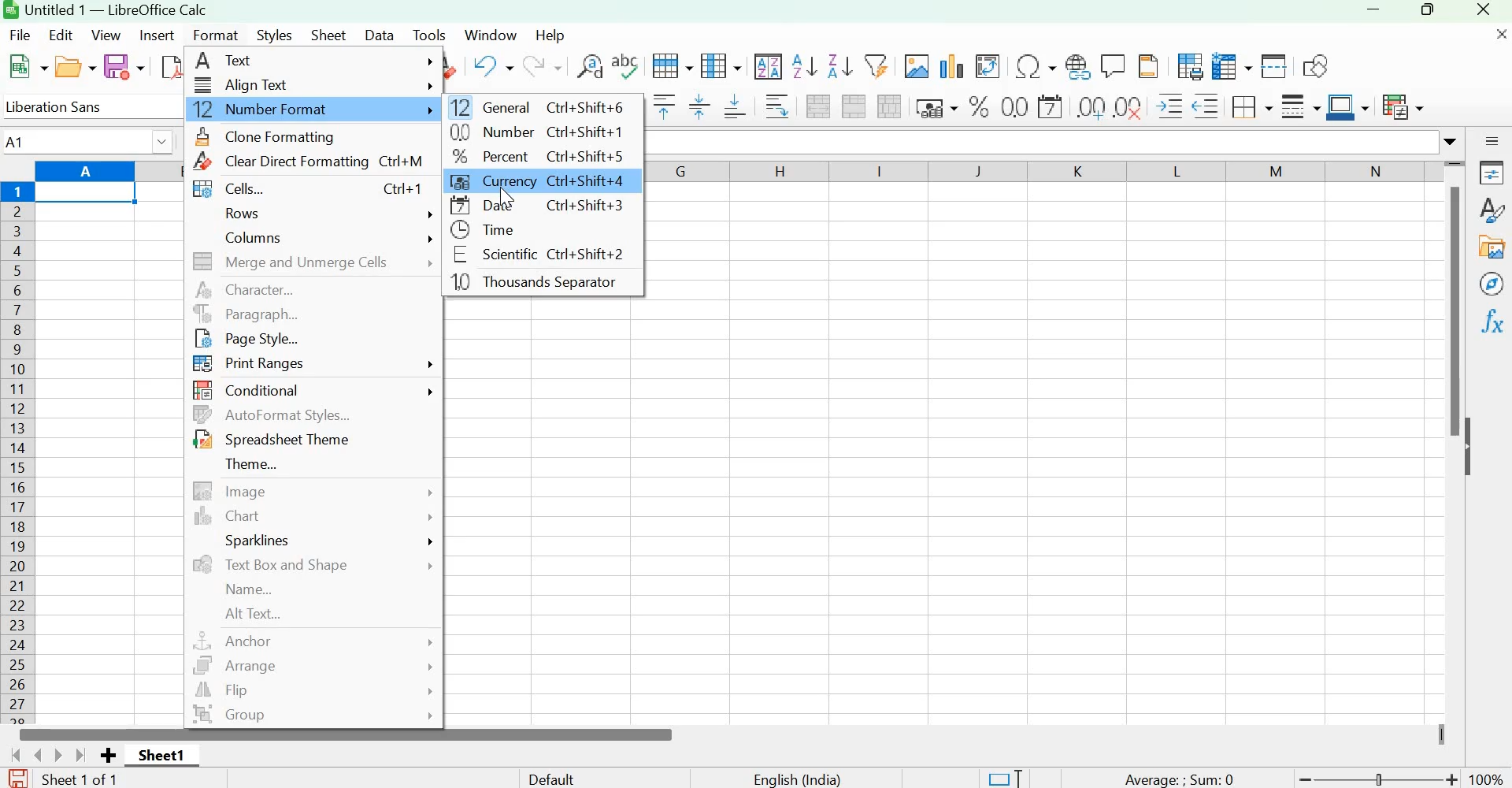 Image resolution: width=1512 pixels, height=788 pixels. Describe the element at coordinates (1206, 105) in the screenshot. I see `Decrease Indent` at that location.